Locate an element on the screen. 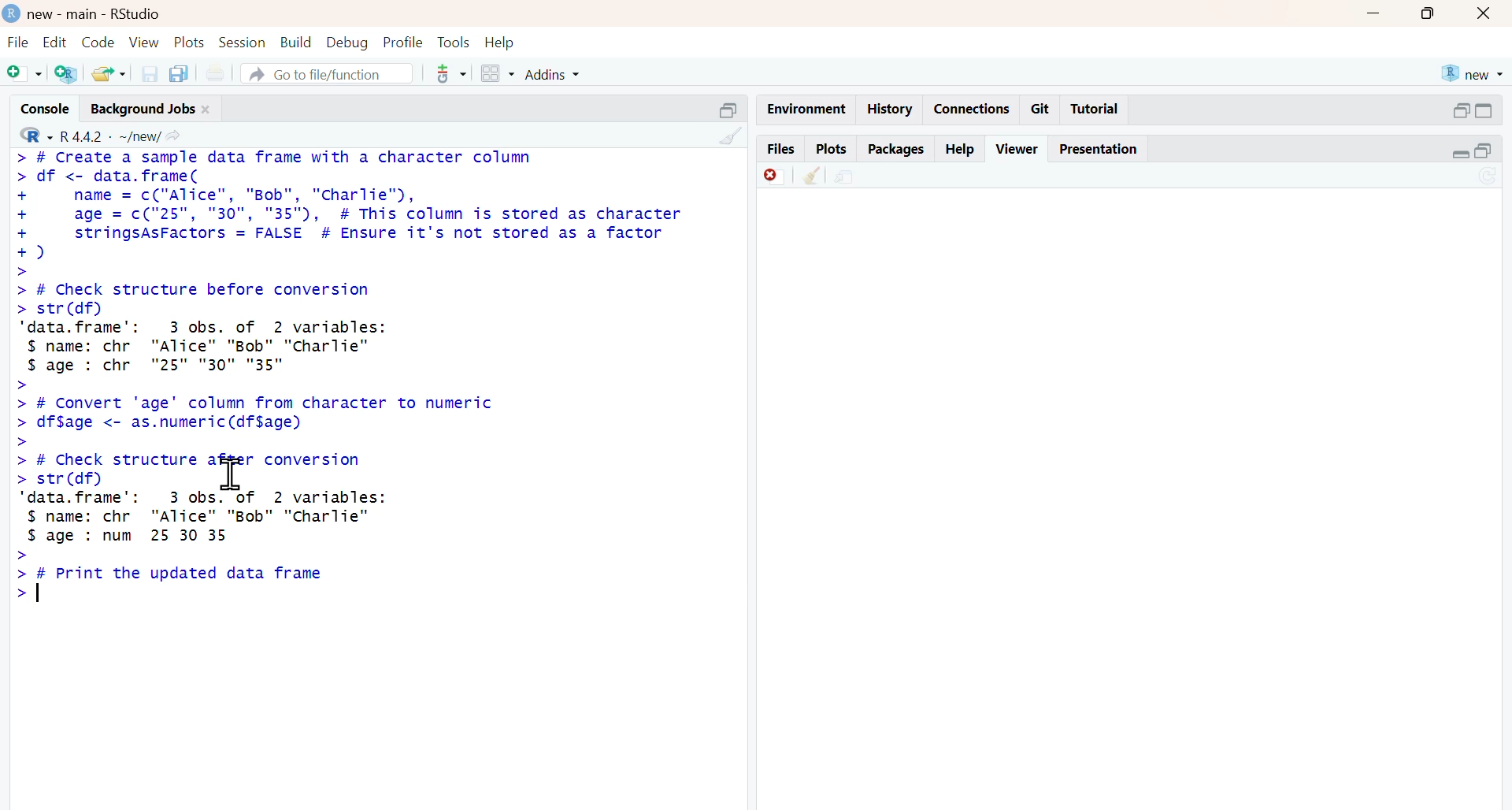 The height and width of the screenshot is (810, 1512). profile is located at coordinates (404, 43).